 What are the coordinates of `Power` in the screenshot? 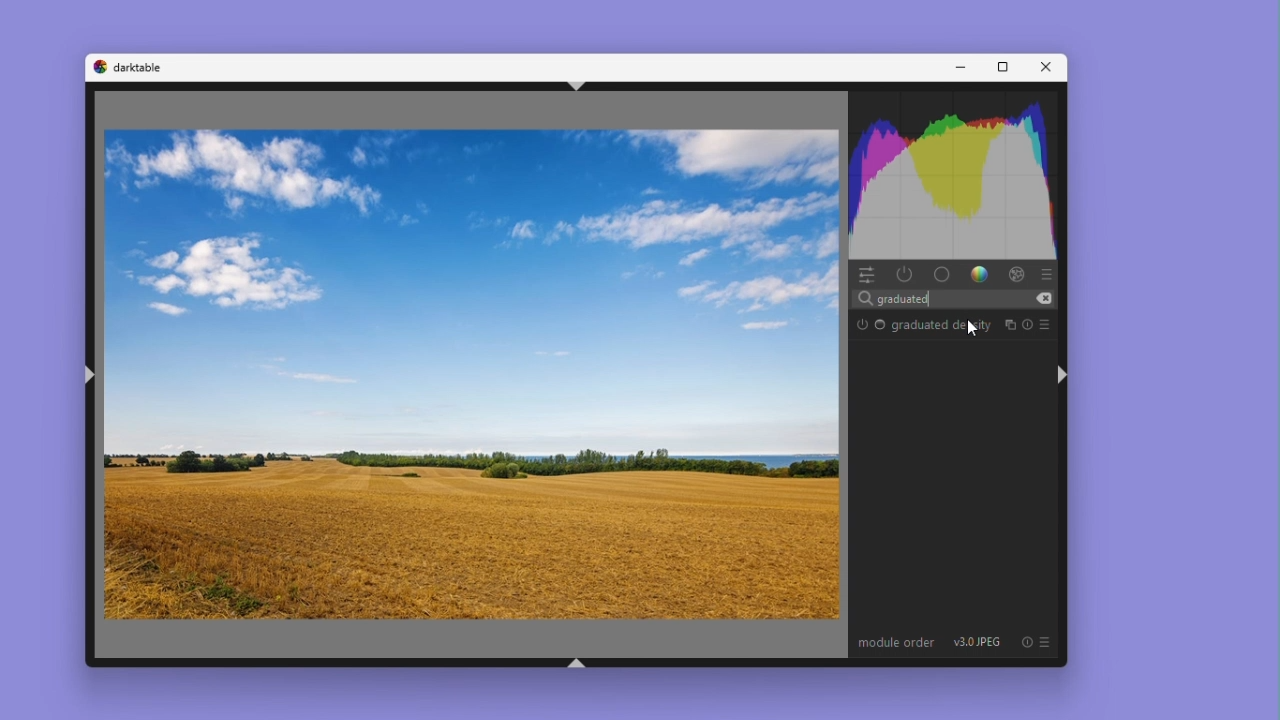 It's located at (905, 273).